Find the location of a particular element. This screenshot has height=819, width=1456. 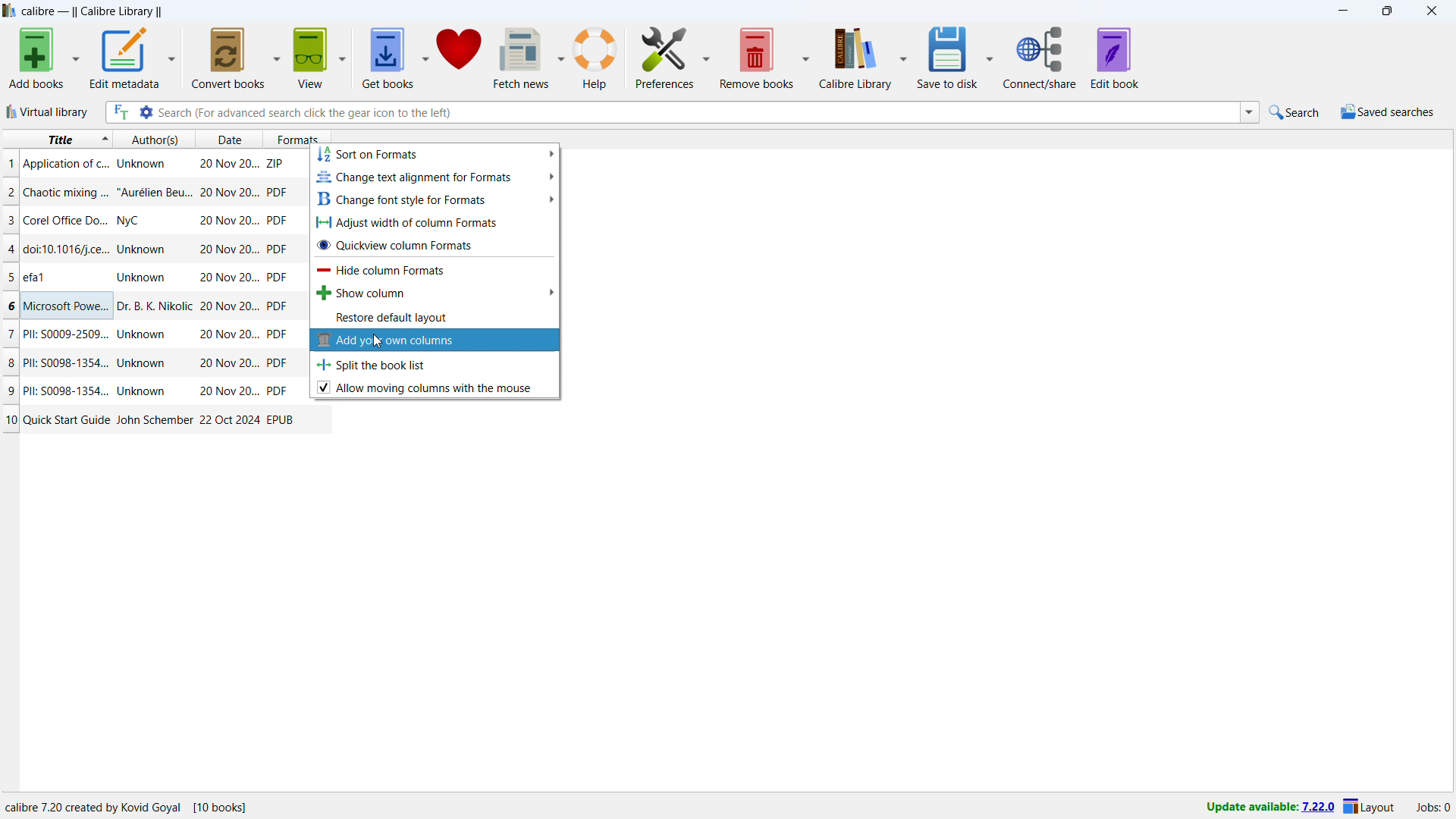

cursor is located at coordinates (380, 342).